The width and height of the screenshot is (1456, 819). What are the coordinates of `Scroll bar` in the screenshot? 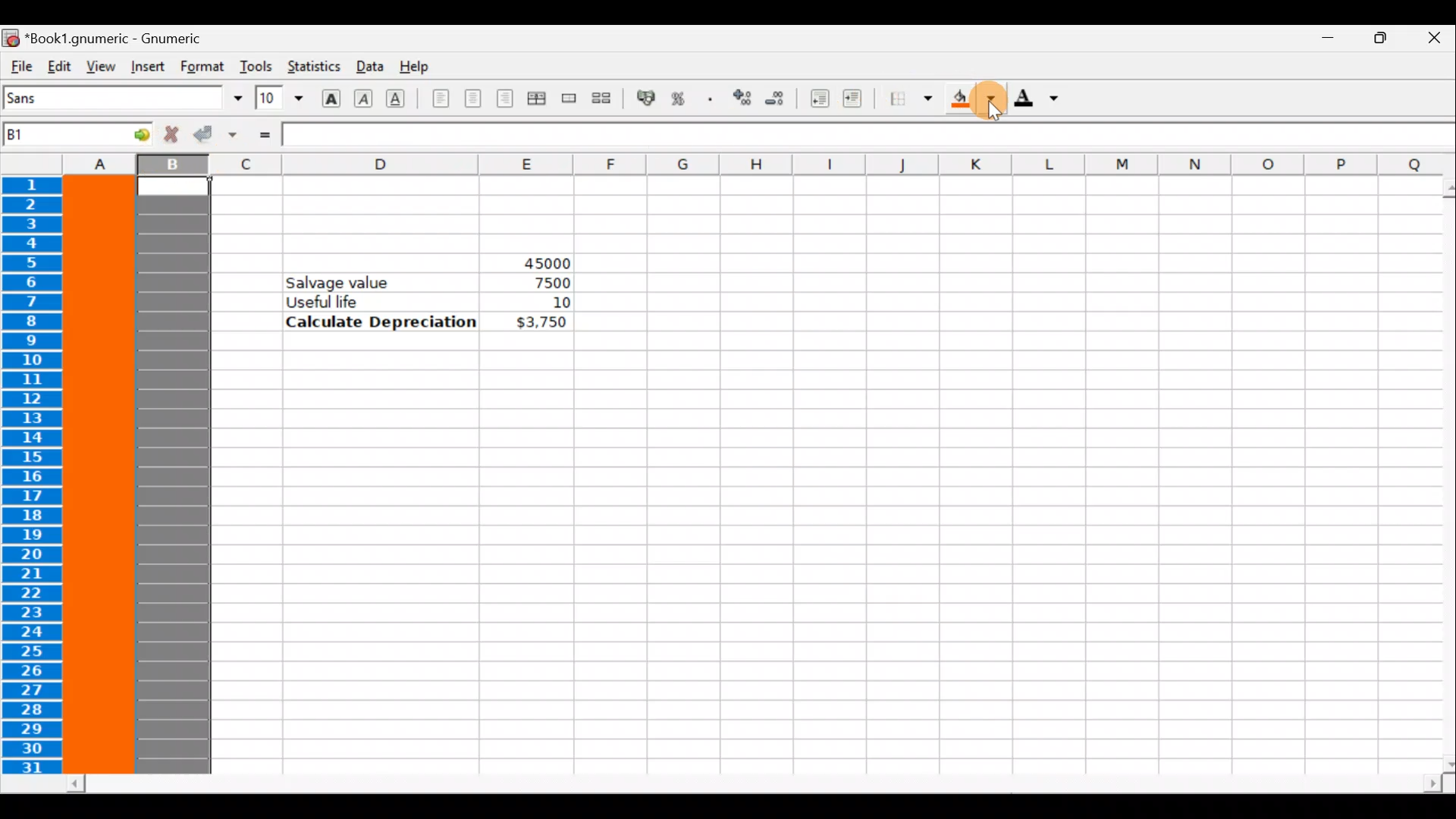 It's located at (1438, 475).